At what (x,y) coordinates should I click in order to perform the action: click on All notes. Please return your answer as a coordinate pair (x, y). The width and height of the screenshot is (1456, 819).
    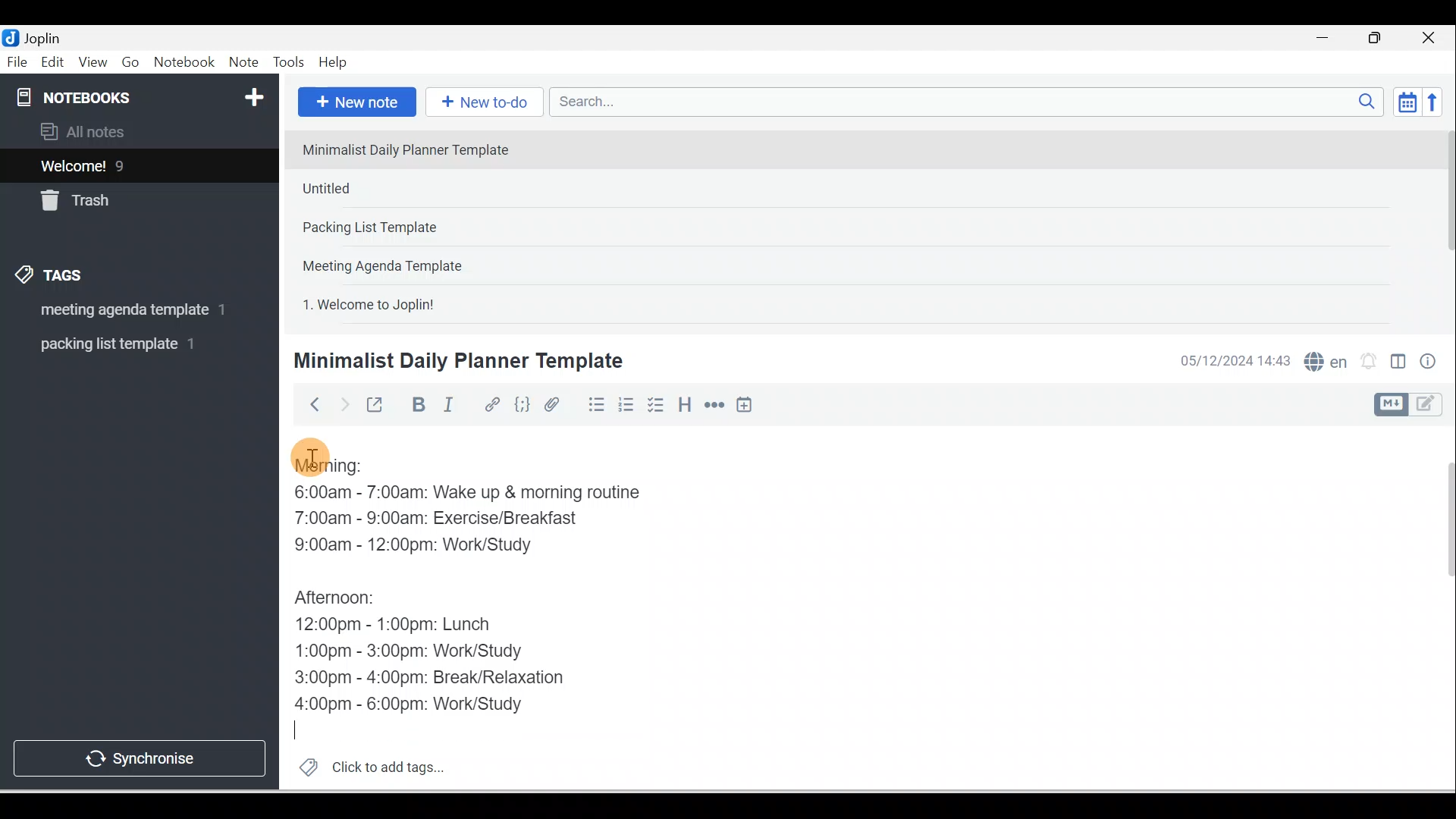
    Looking at the image, I should click on (137, 131).